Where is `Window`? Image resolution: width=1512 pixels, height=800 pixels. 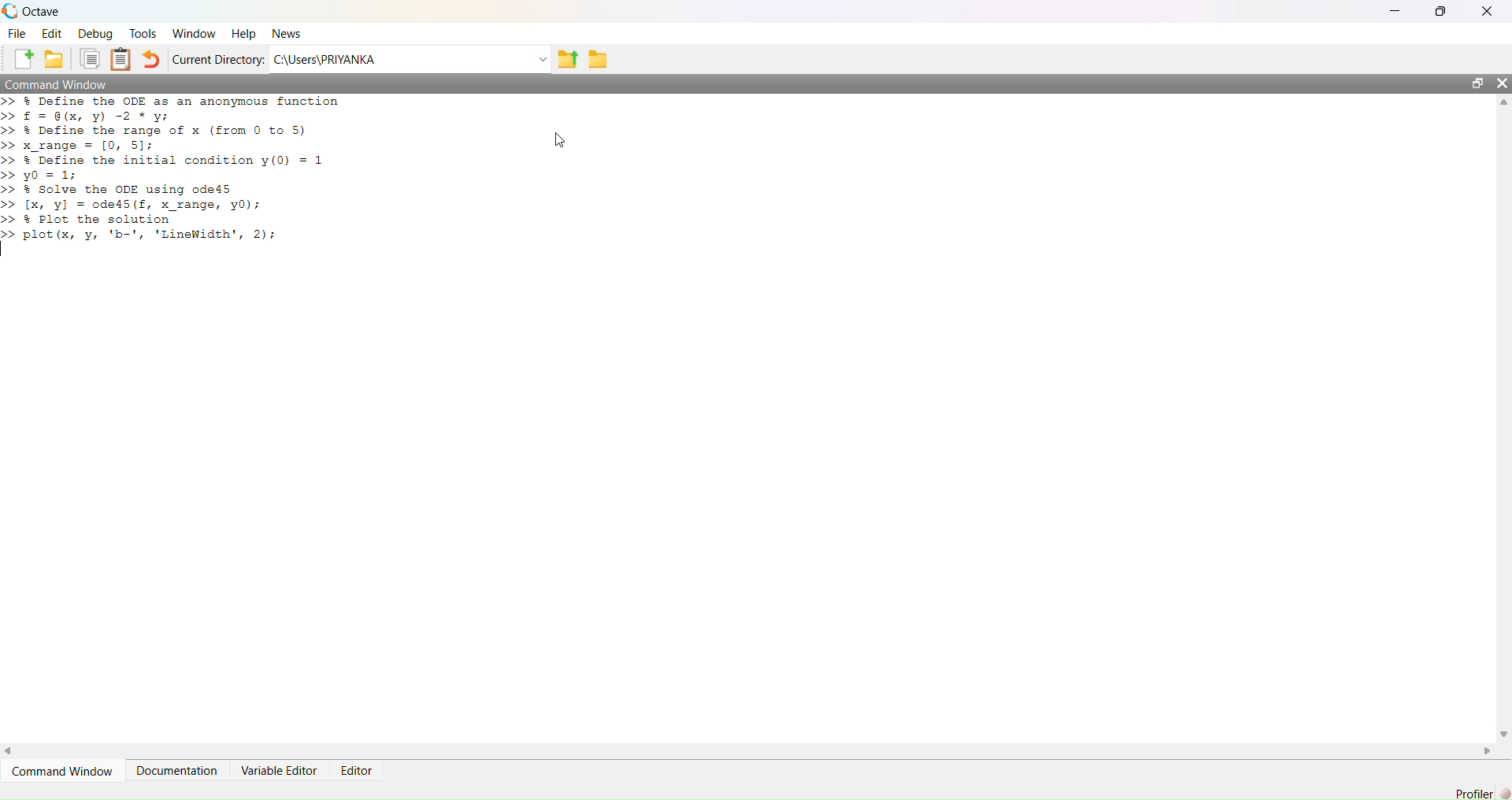 Window is located at coordinates (193, 34).